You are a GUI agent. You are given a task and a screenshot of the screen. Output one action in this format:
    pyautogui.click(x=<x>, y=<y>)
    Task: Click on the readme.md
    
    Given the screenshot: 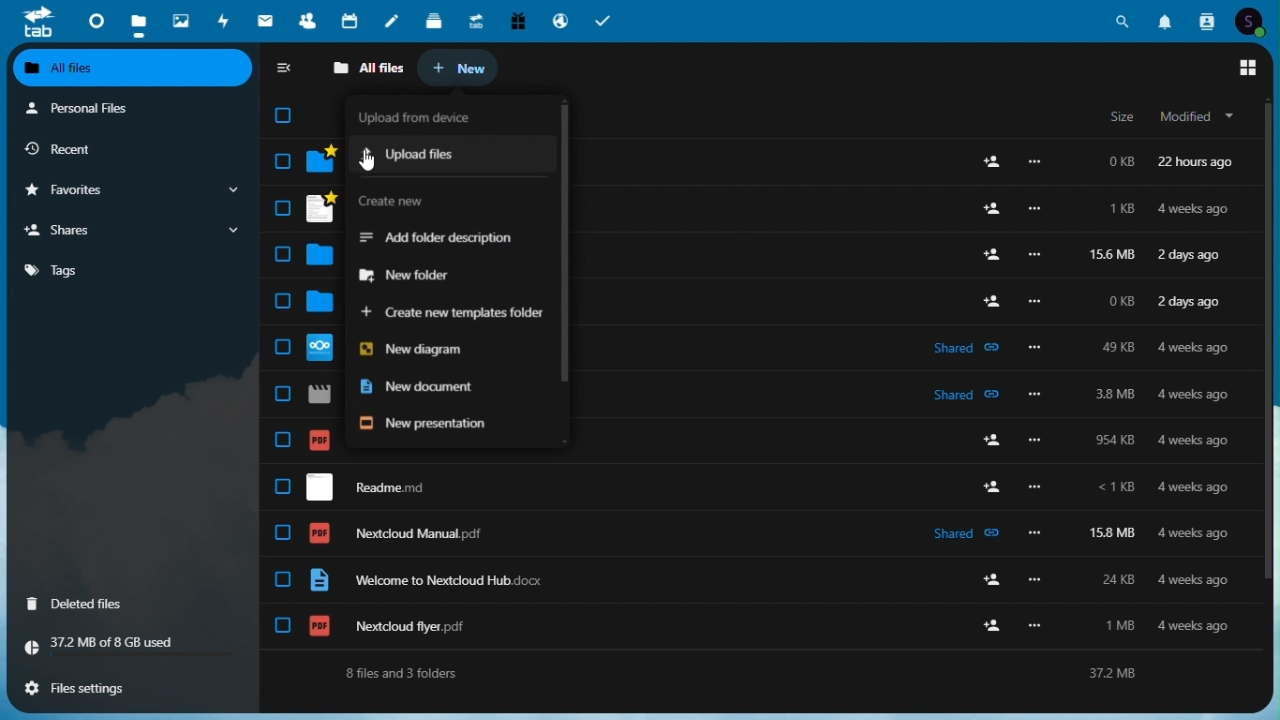 What is the action you would take?
    pyautogui.click(x=385, y=488)
    